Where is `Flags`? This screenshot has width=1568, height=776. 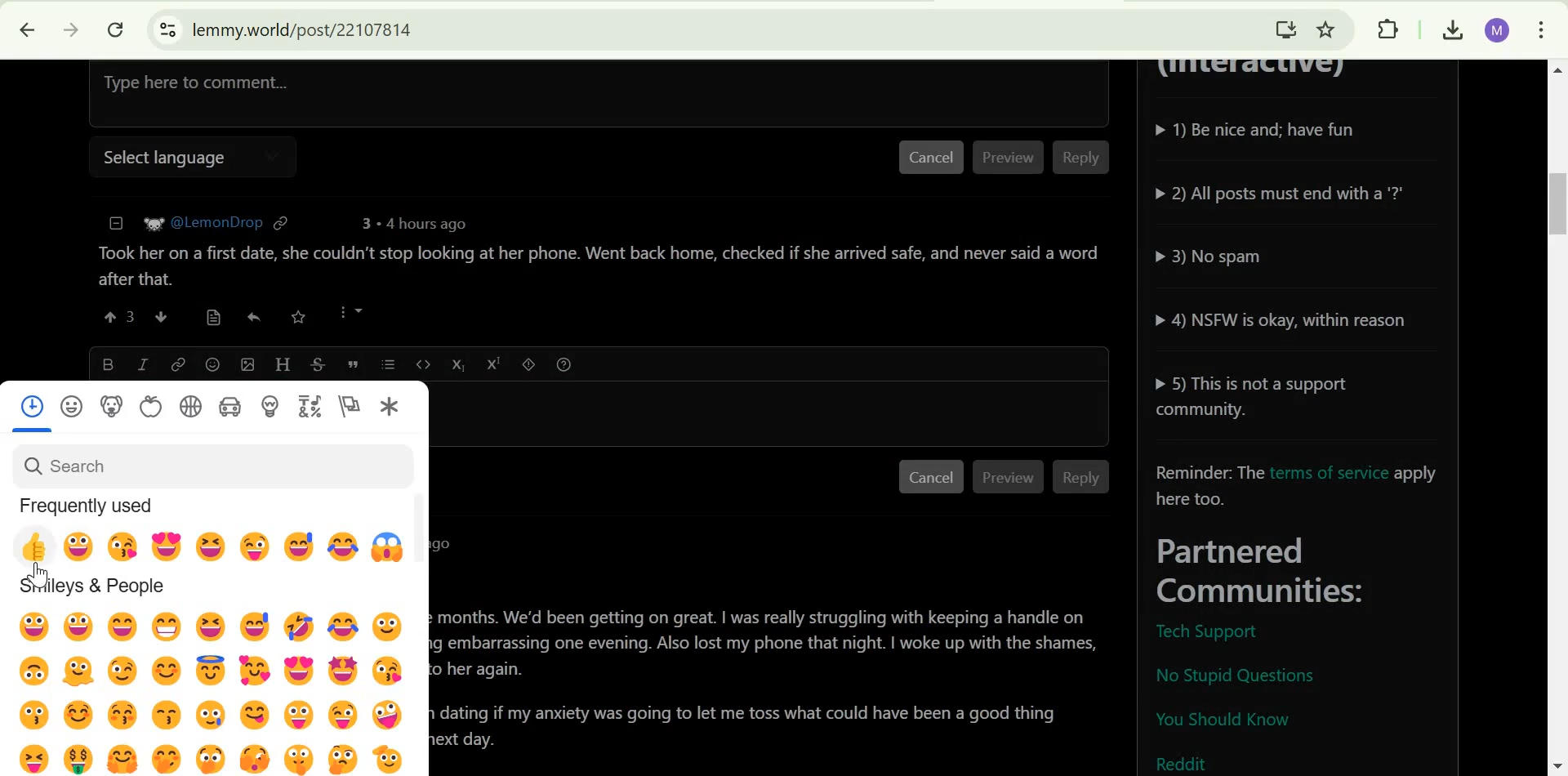
Flags is located at coordinates (350, 407).